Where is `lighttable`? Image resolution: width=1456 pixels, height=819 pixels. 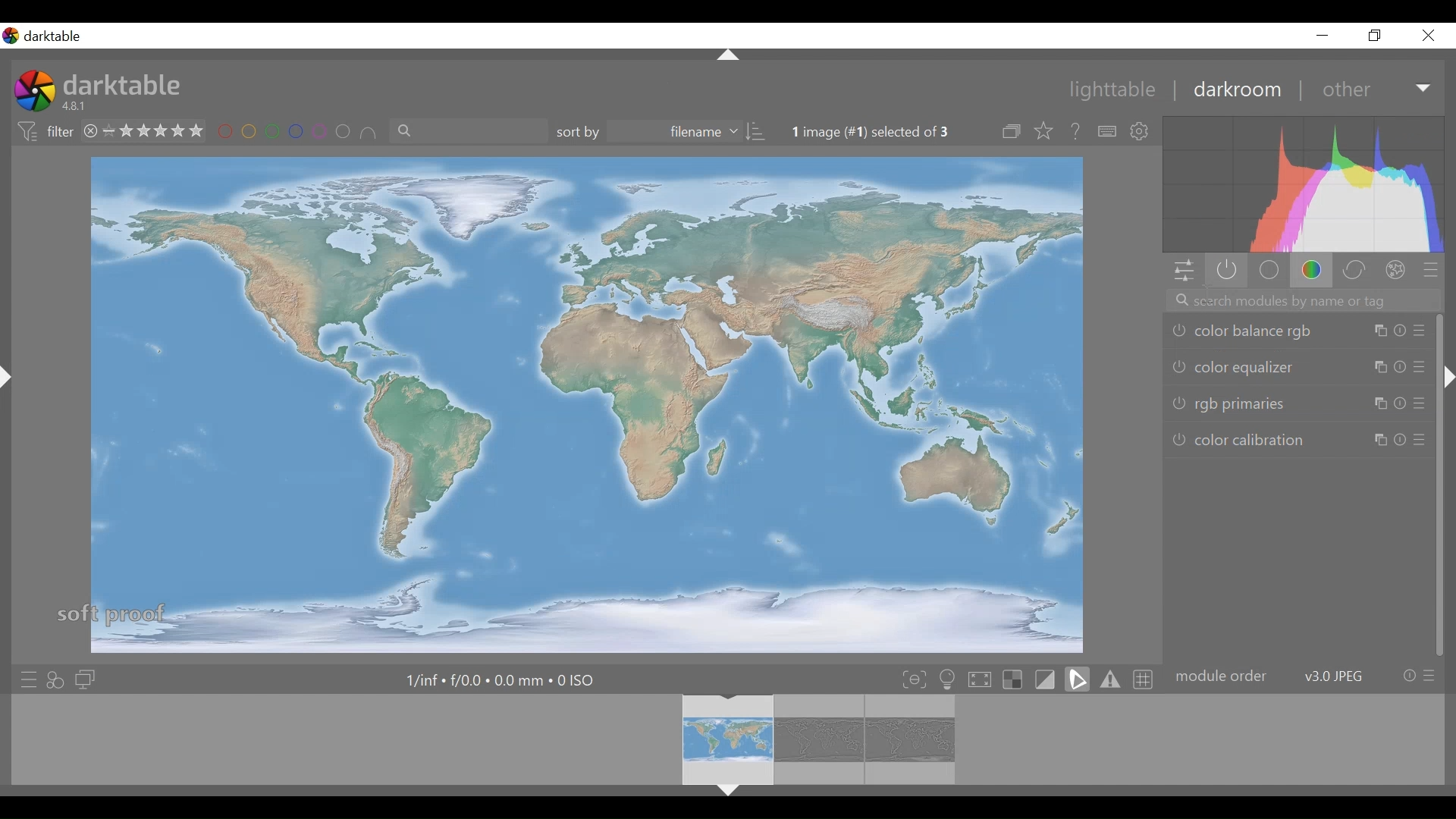 lighttable is located at coordinates (1116, 91).